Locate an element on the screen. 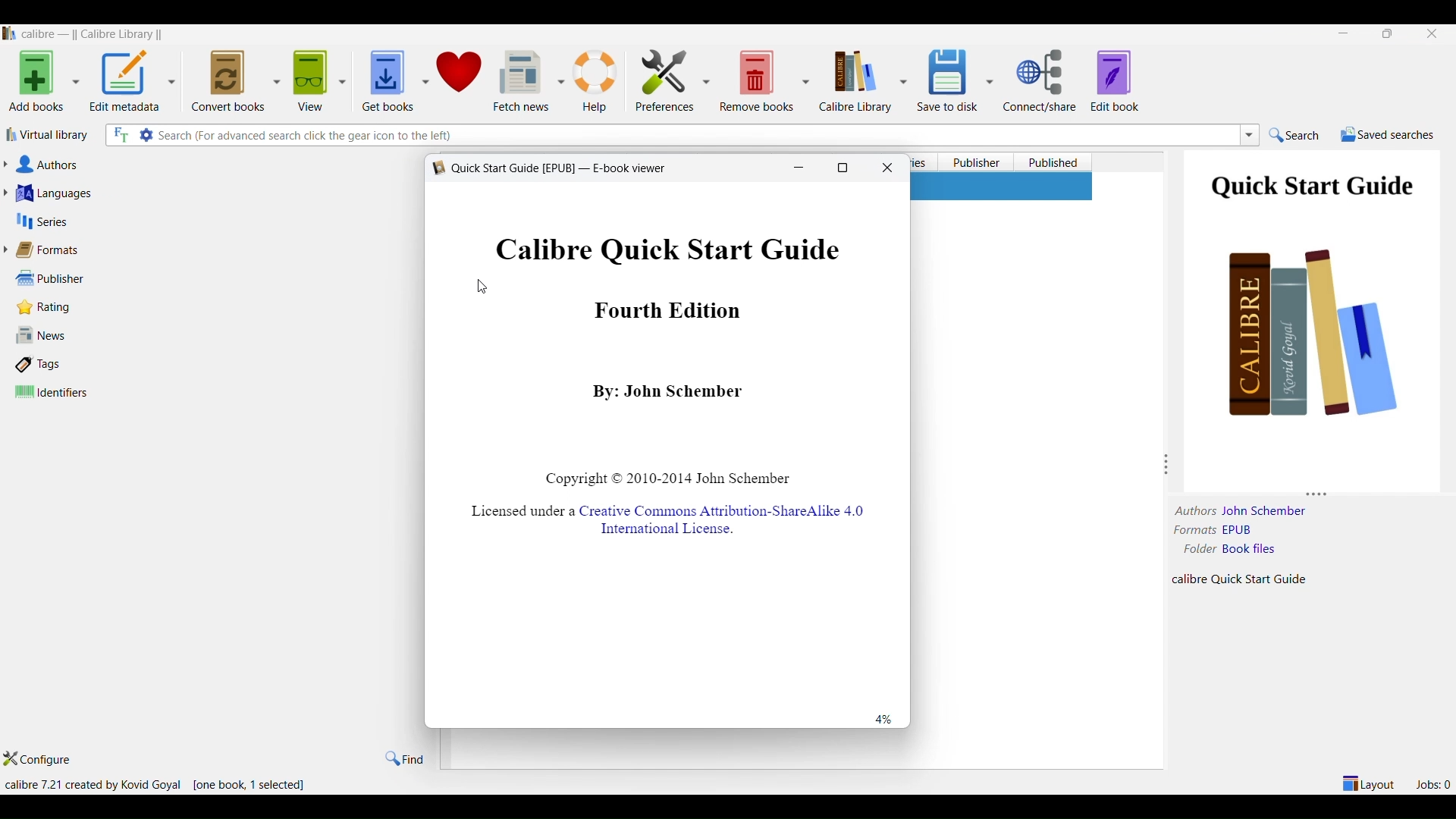 Image resolution: width=1456 pixels, height=819 pixels. search is located at coordinates (1301, 135).